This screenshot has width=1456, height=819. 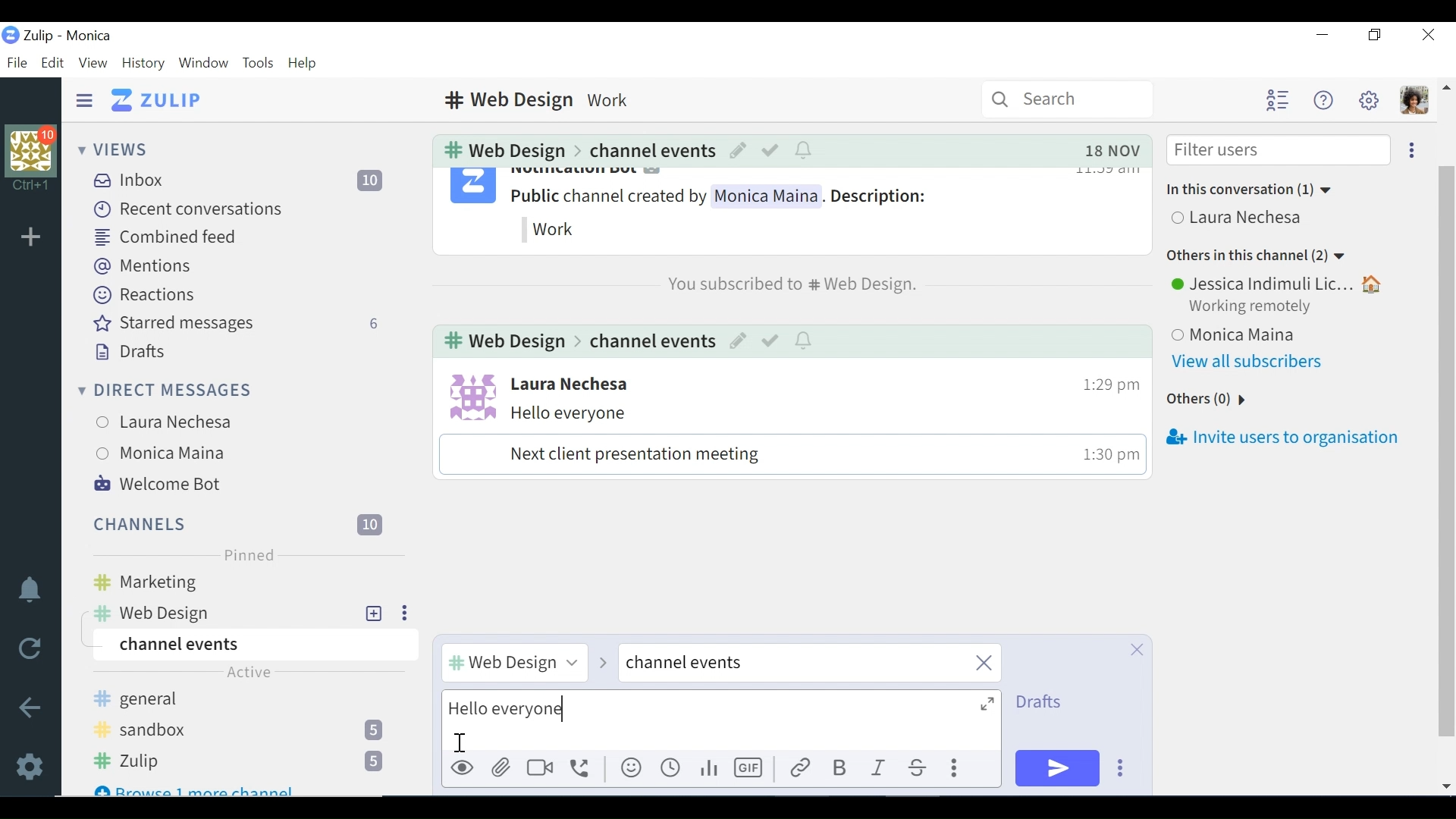 I want to click on Add video call, so click(x=540, y=768).